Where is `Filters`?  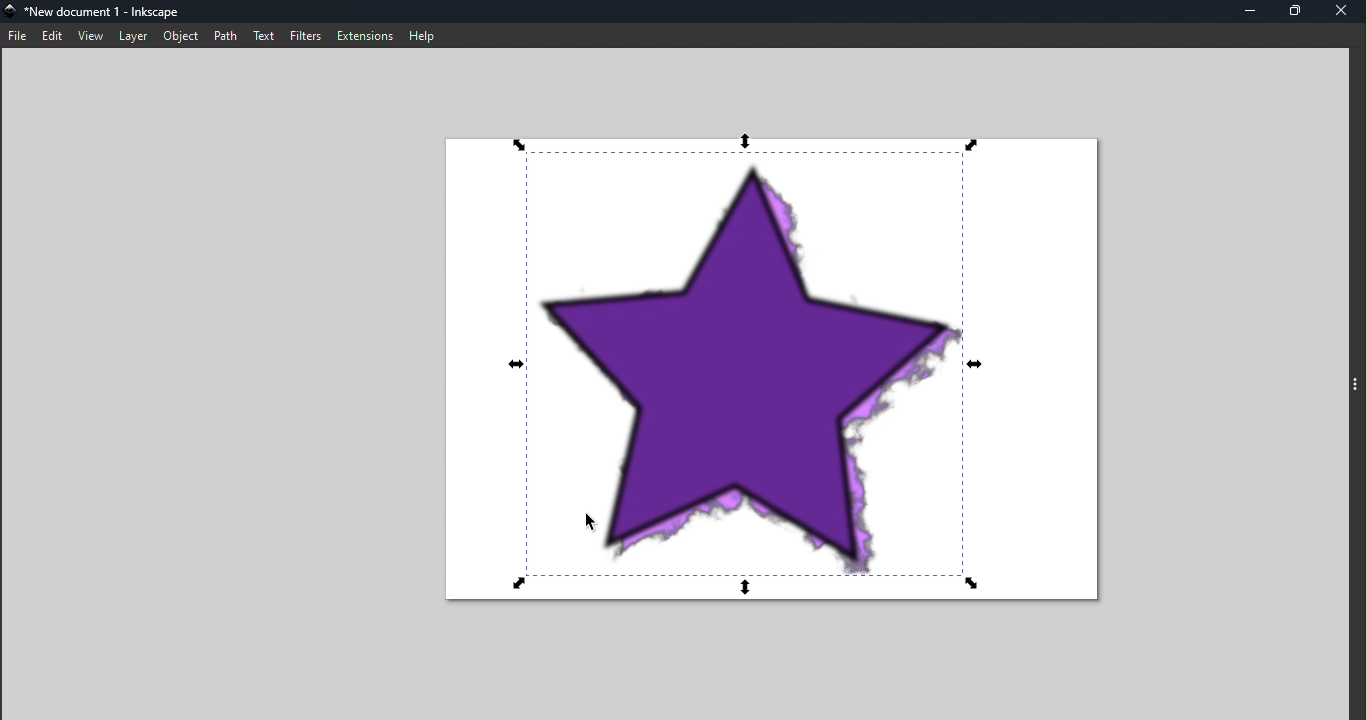
Filters is located at coordinates (308, 36).